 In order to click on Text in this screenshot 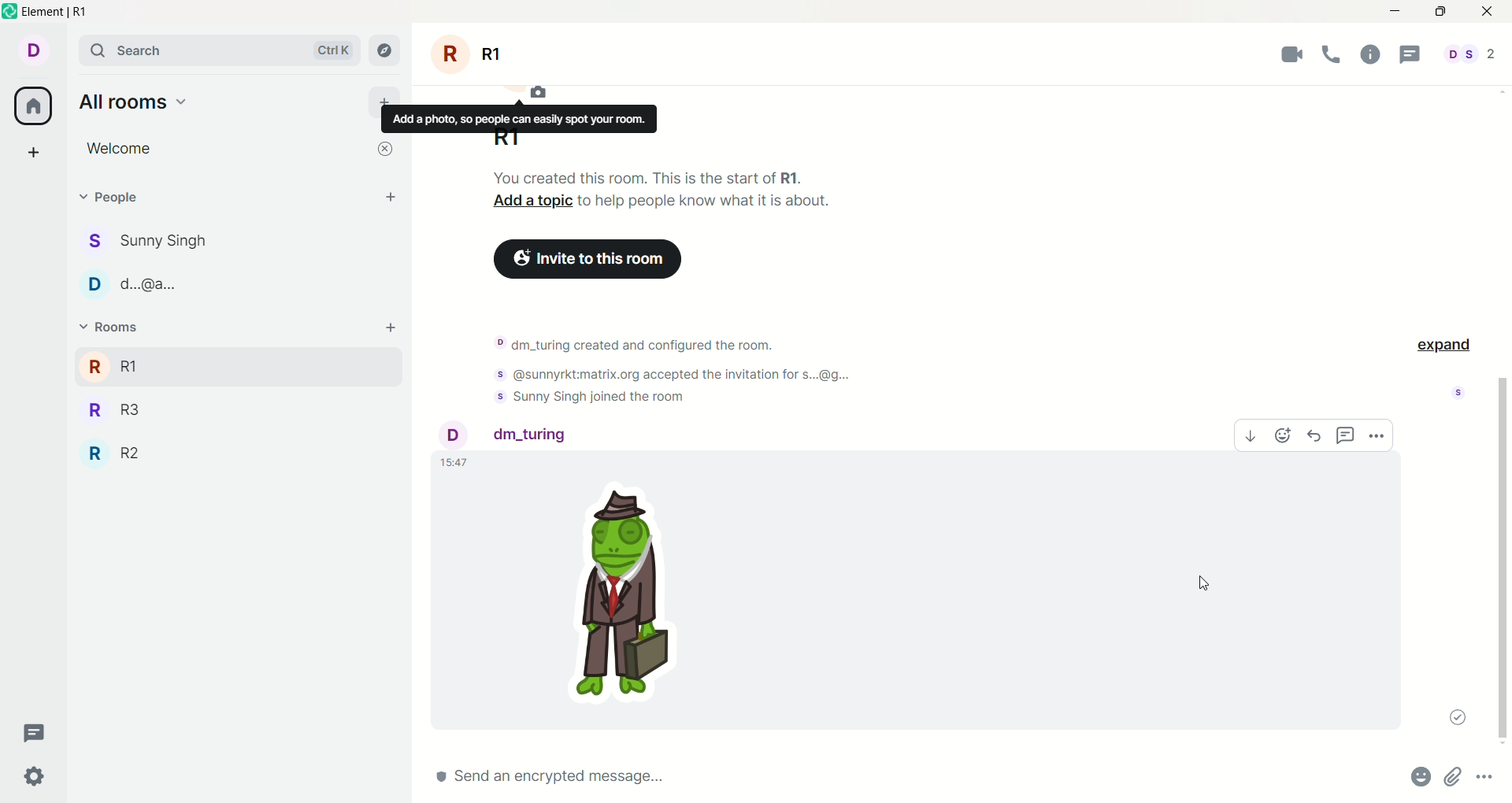, I will do `click(706, 201)`.